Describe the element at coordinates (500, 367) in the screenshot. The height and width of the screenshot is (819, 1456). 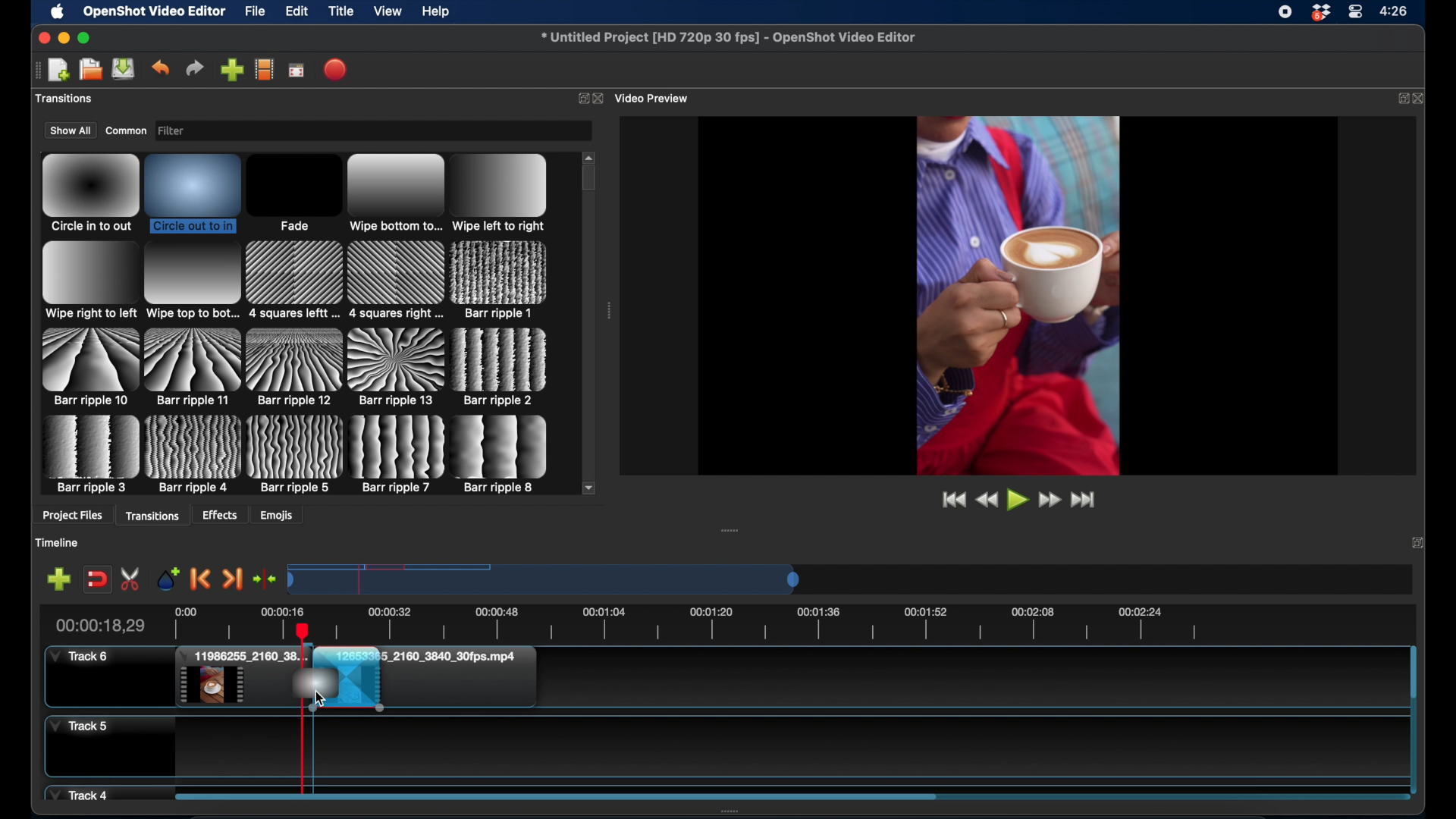
I see `transition` at that location.